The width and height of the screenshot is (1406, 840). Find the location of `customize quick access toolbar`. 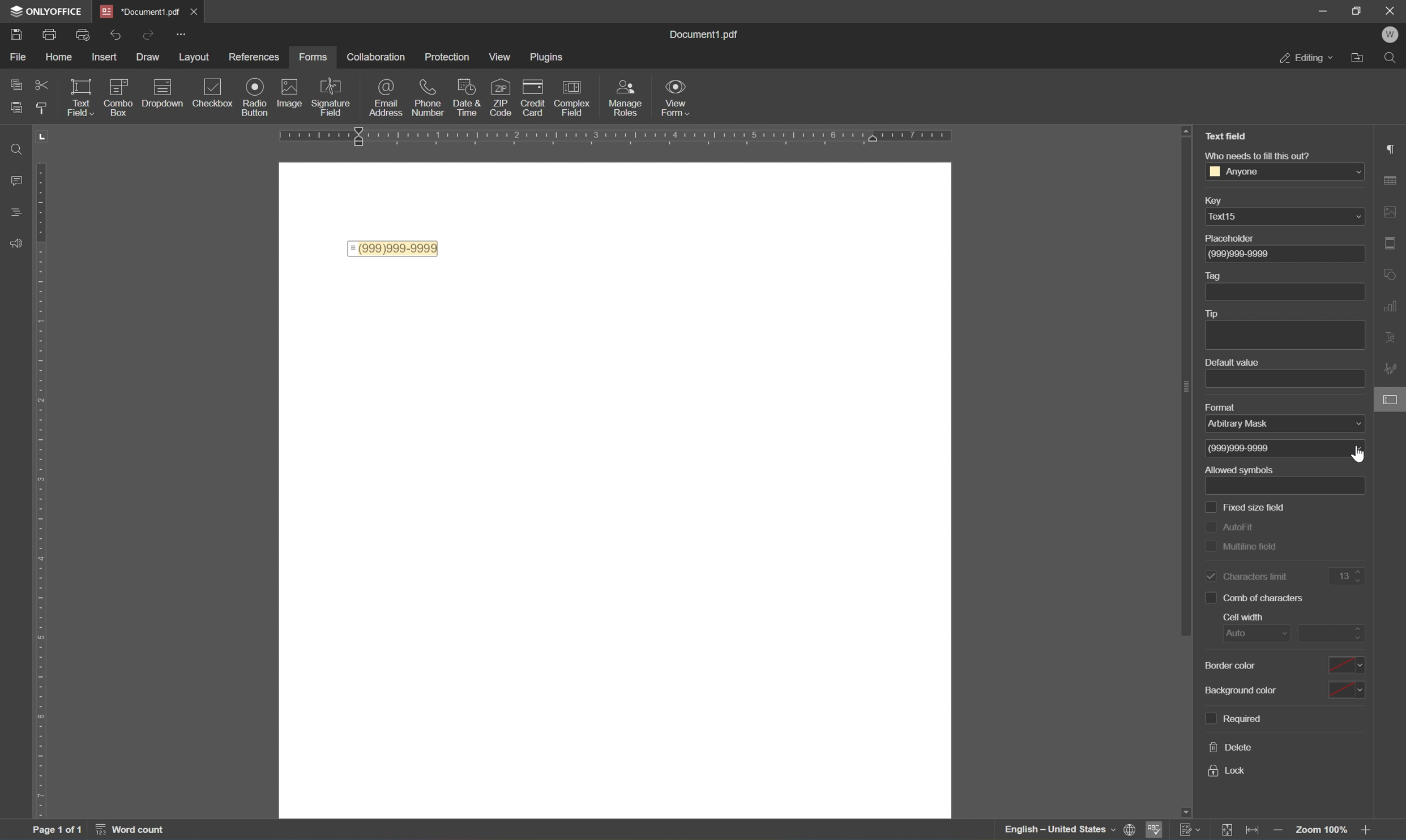

customize quick access toolbar is located at coordinates (180, 33).